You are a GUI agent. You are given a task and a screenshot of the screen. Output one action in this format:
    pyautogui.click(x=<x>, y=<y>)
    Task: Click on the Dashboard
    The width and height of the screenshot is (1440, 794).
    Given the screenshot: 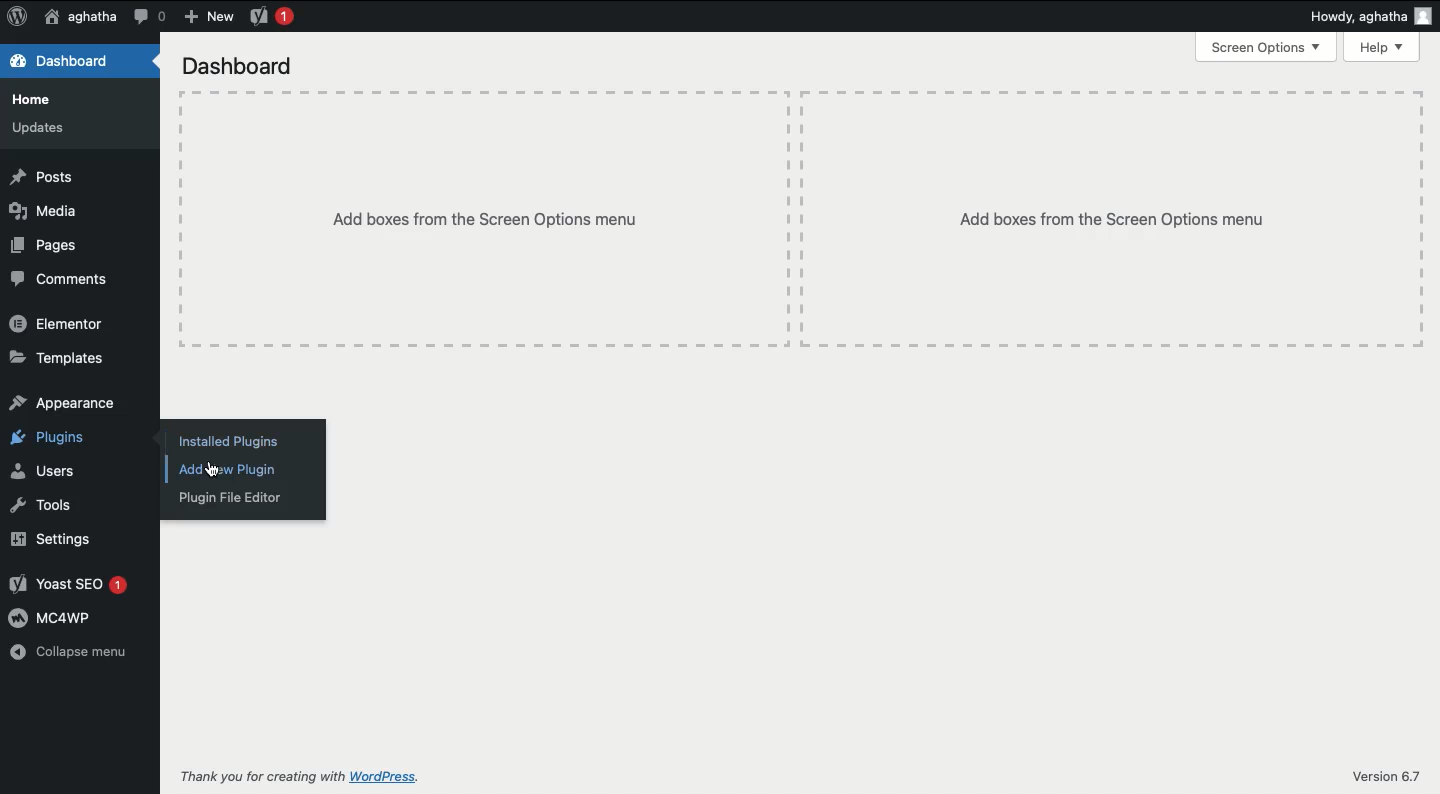 What is the action you would take?
    pyautogui.click(x=61, y=62)
    